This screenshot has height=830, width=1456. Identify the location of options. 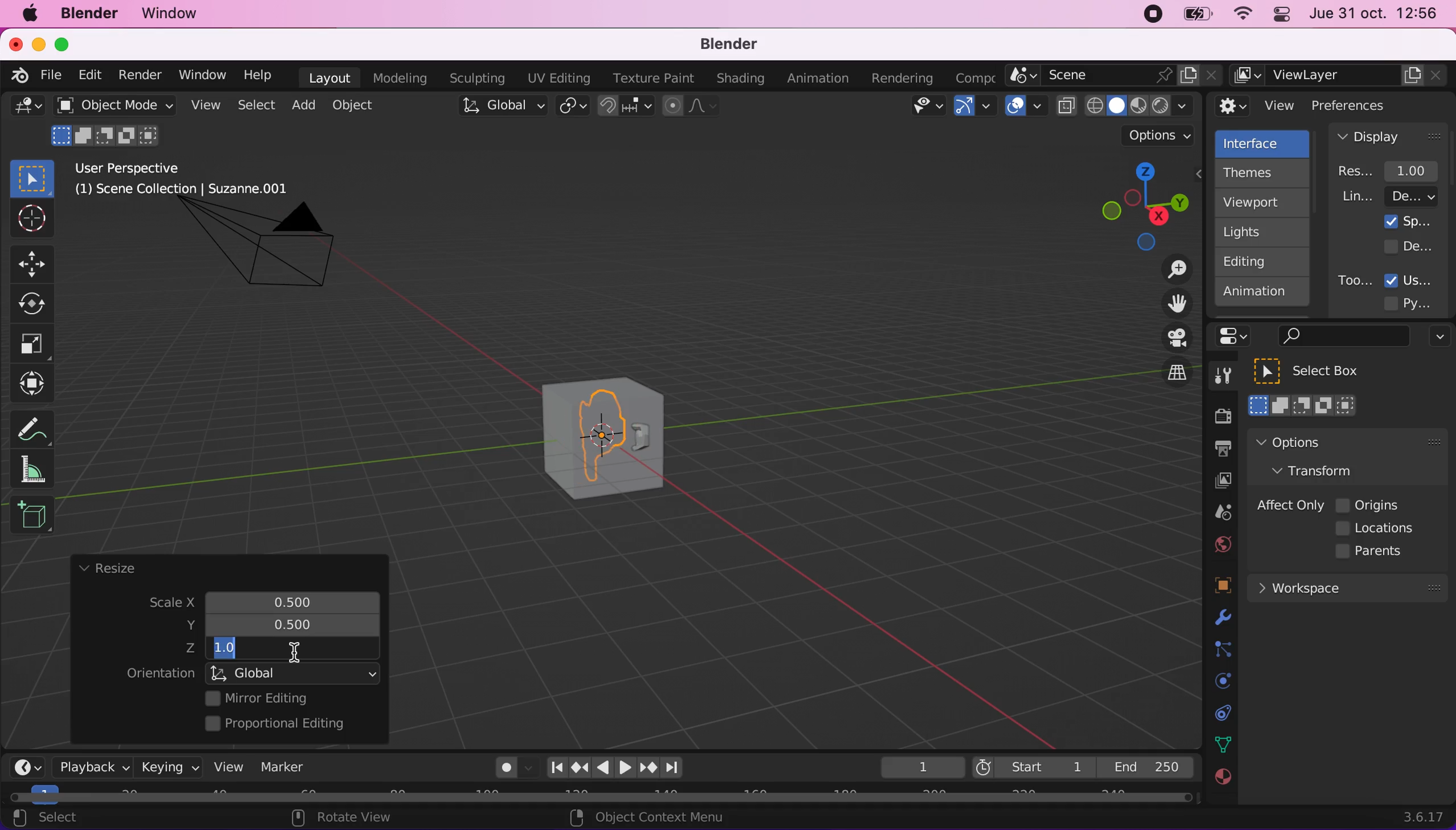
(1320, 442).